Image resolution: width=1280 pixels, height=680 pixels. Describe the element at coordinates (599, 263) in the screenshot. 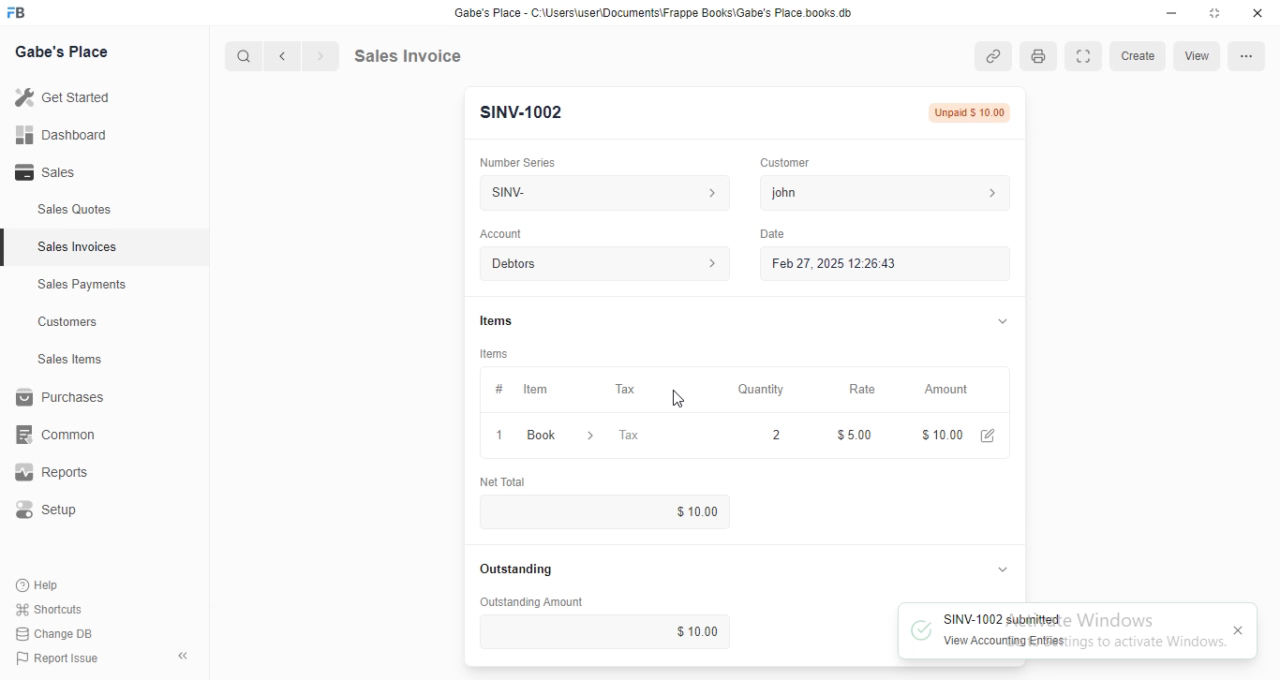

I see `Debtors >` at that location.